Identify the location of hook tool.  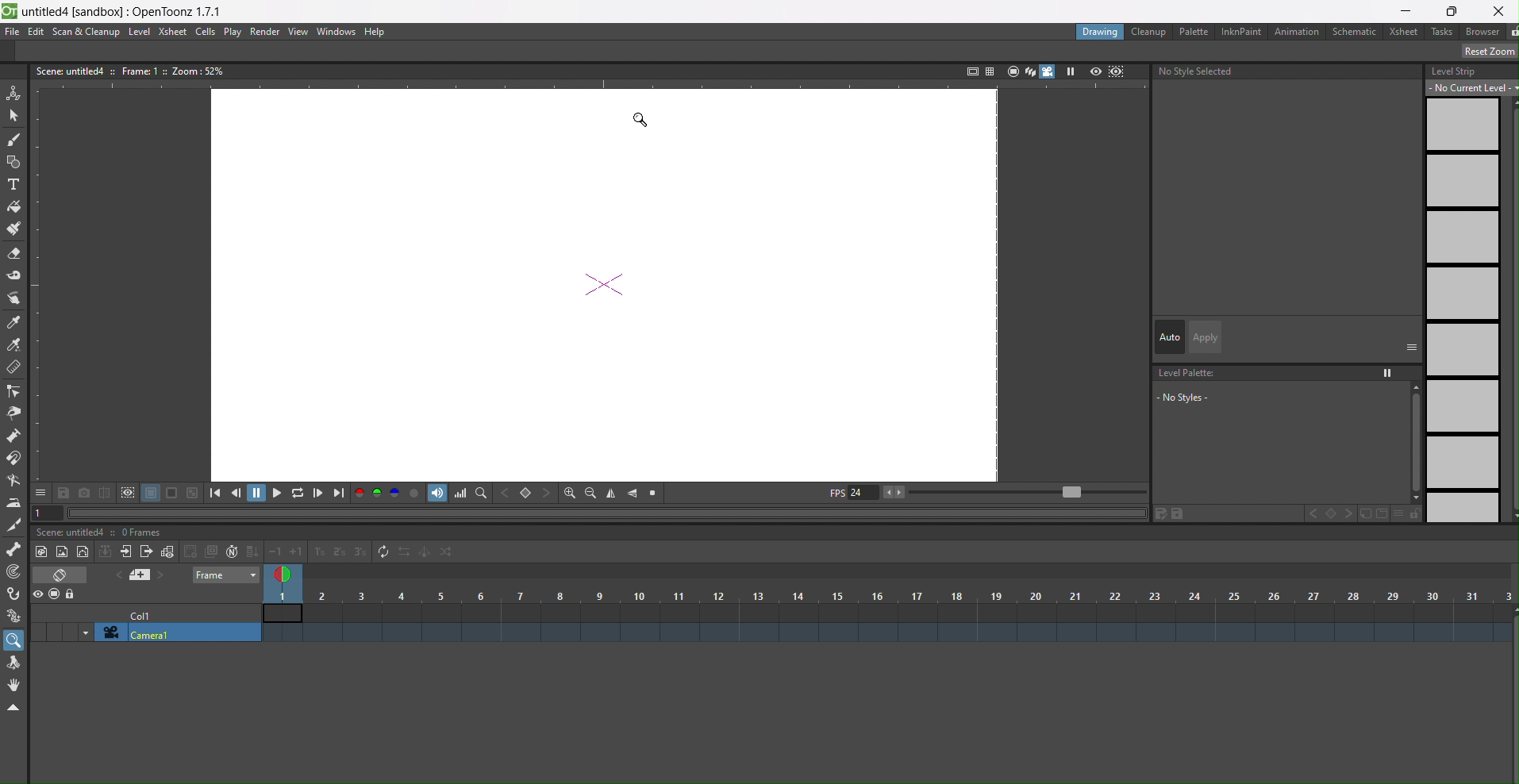
(14, 594).